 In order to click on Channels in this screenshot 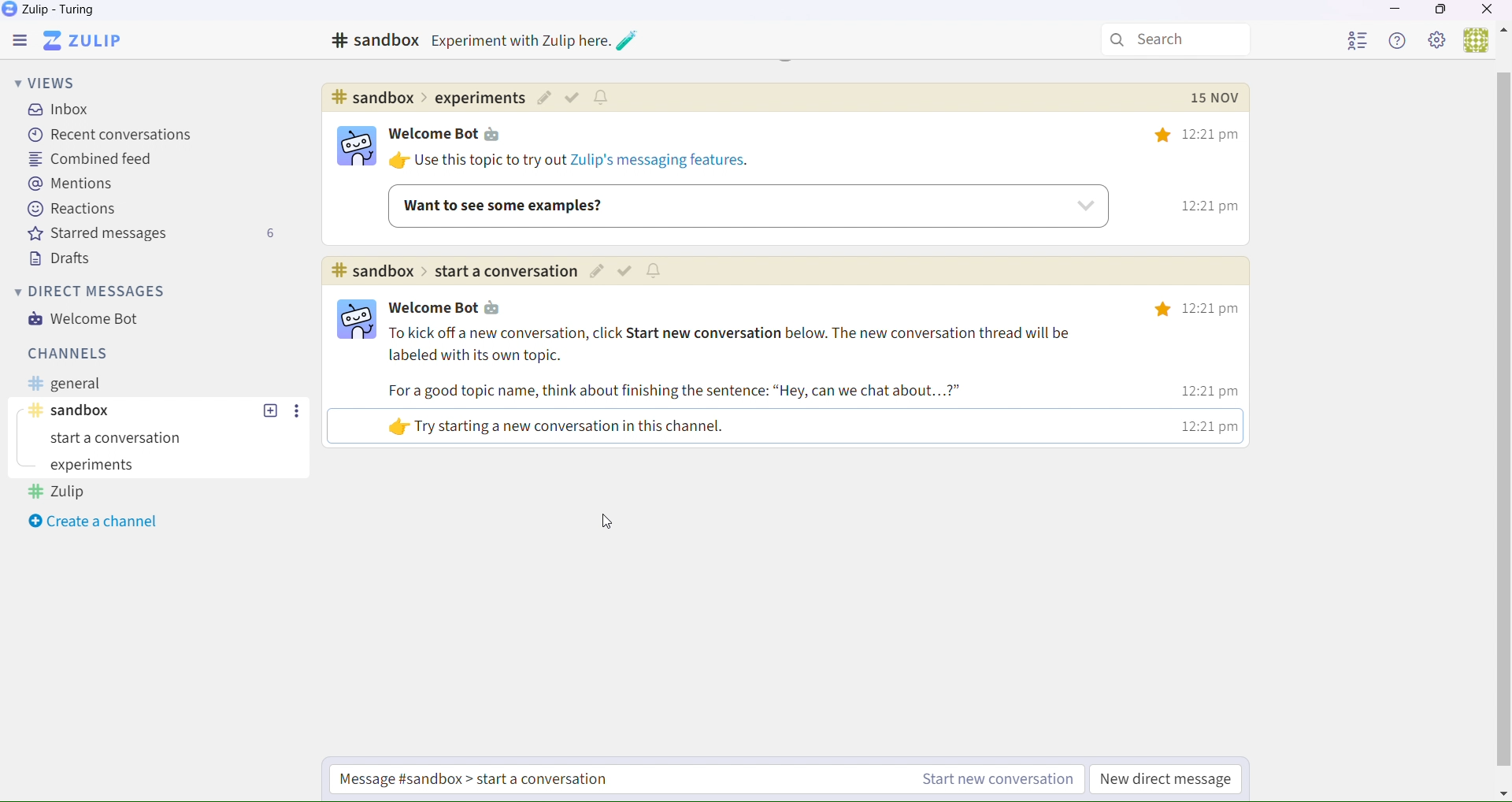, I will do `click(64, 352)`.